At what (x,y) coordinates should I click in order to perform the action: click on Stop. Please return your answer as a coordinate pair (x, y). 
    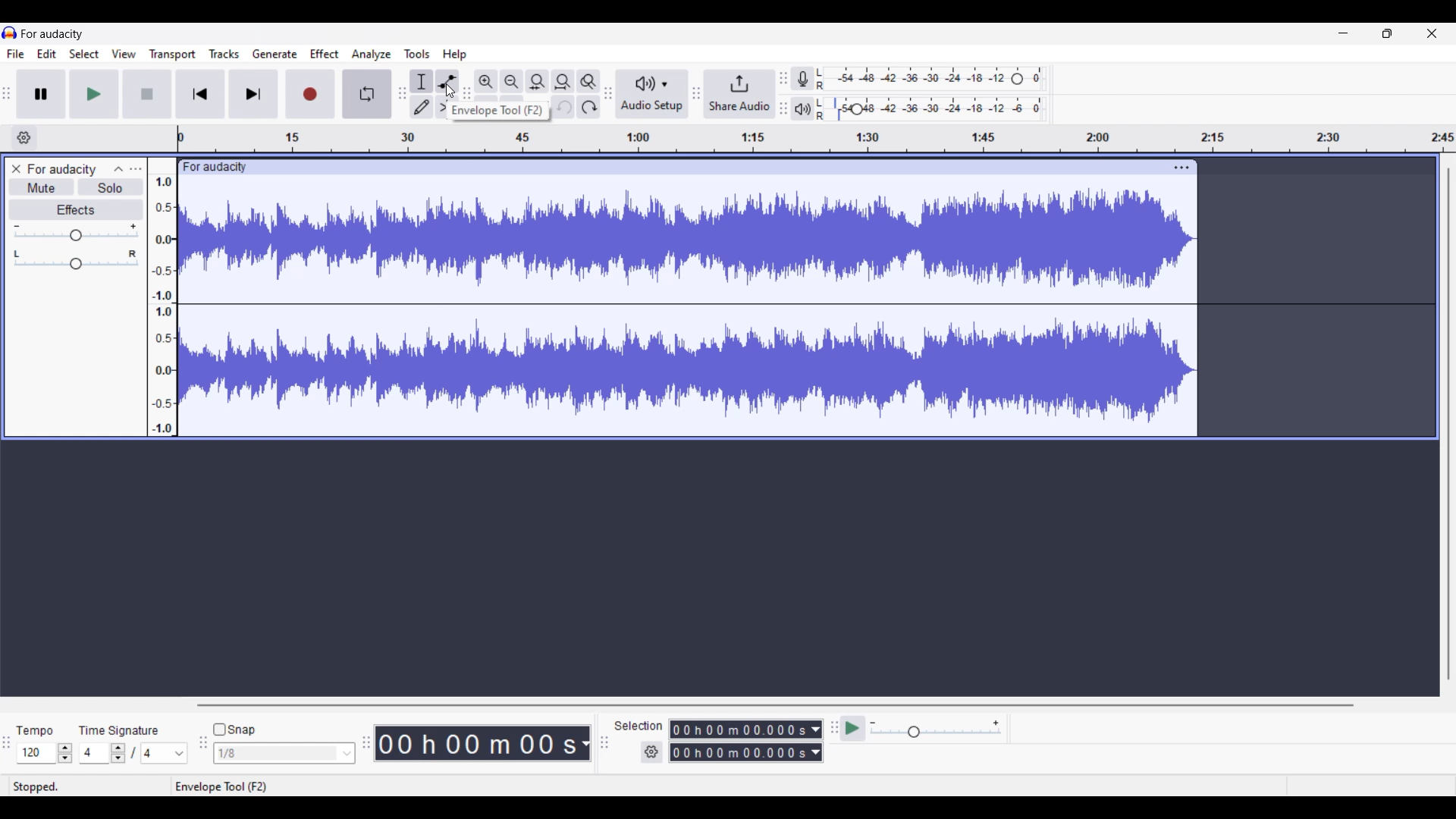
    Looking at the image, I should click on (148, 94).